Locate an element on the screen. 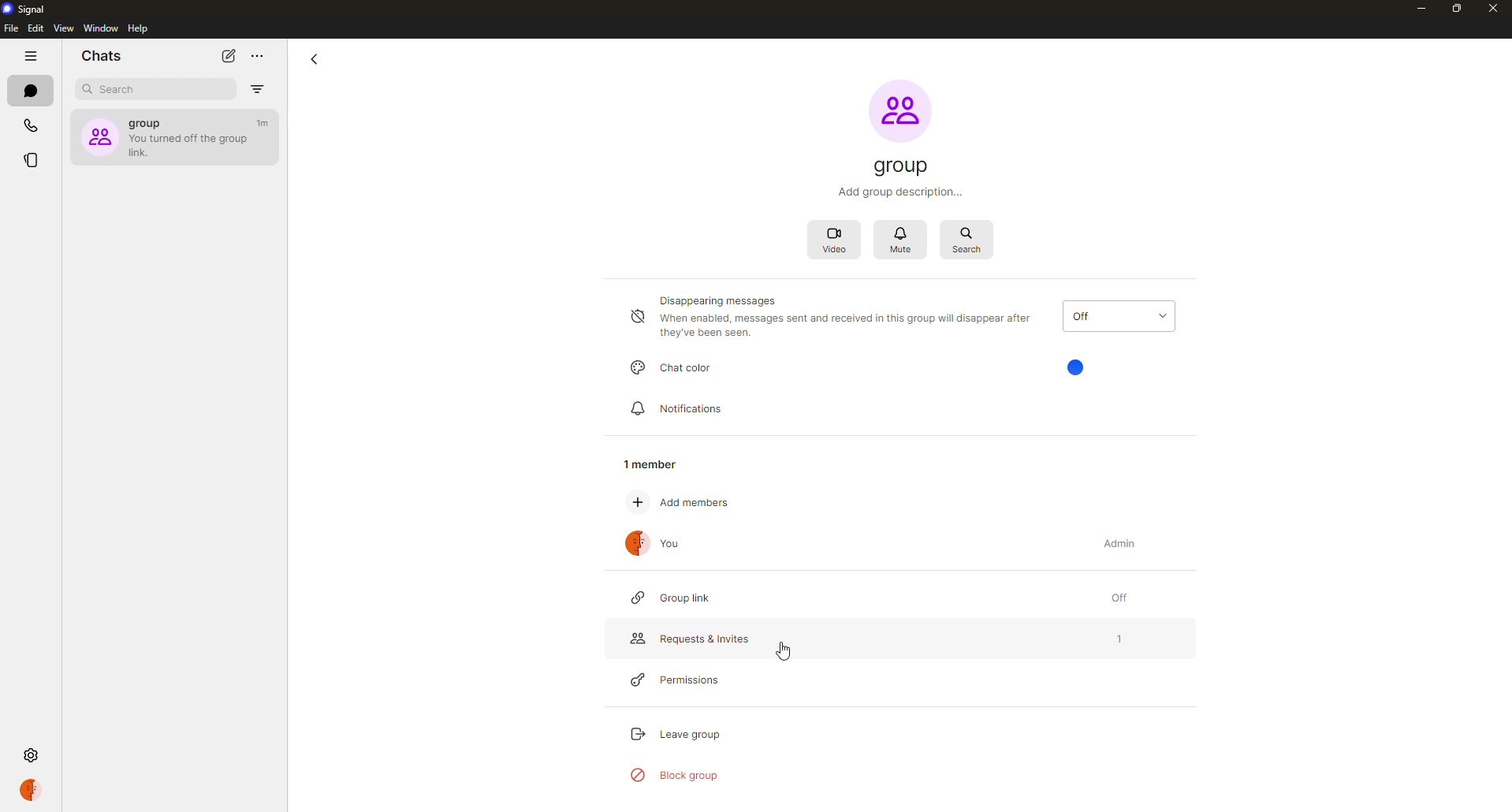 The image size is (1512, 812). window is located at coordinates (101, 28).